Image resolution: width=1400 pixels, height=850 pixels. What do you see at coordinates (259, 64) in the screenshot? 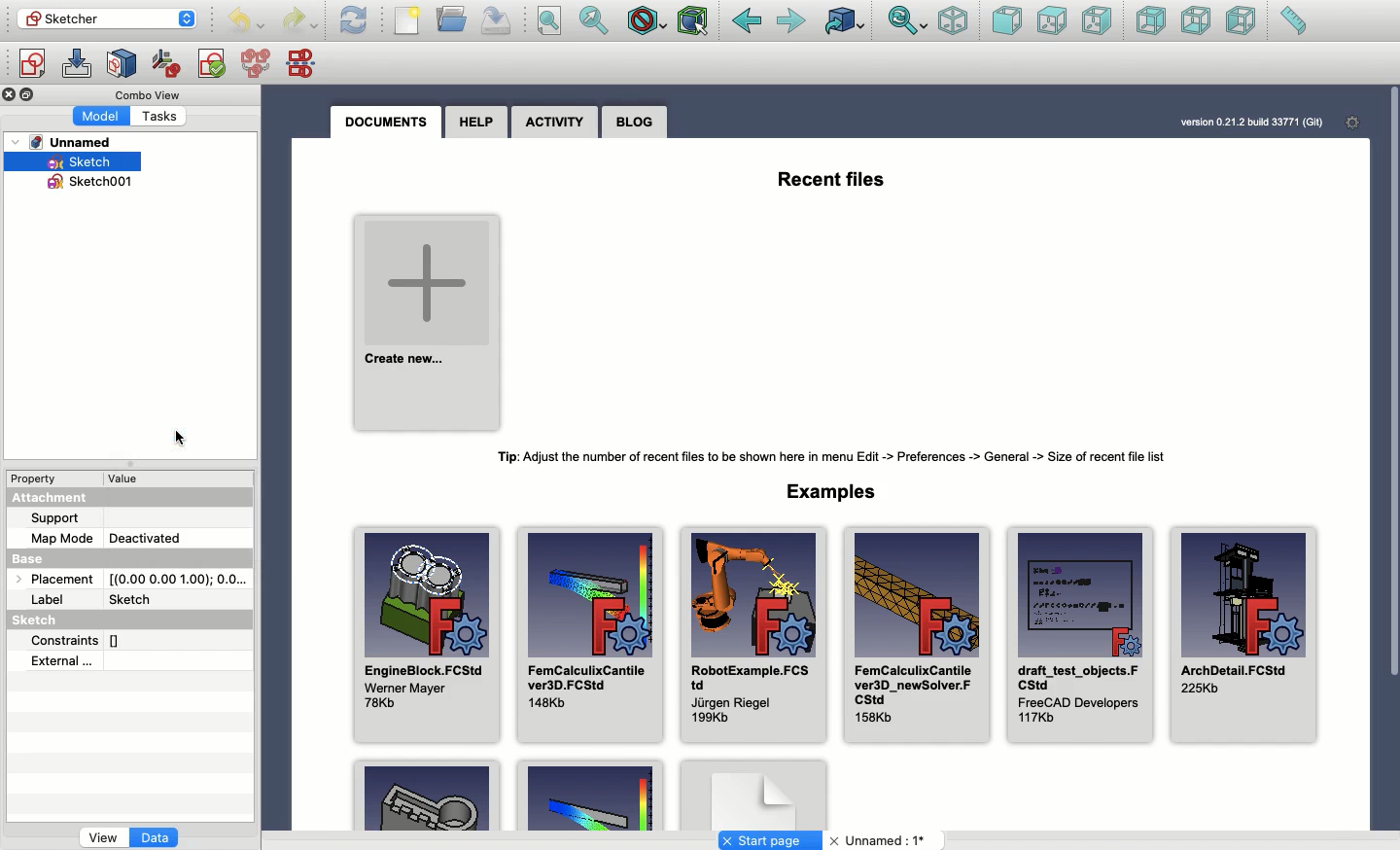
I see `Merge sketches` at bounding box center [259, 64].